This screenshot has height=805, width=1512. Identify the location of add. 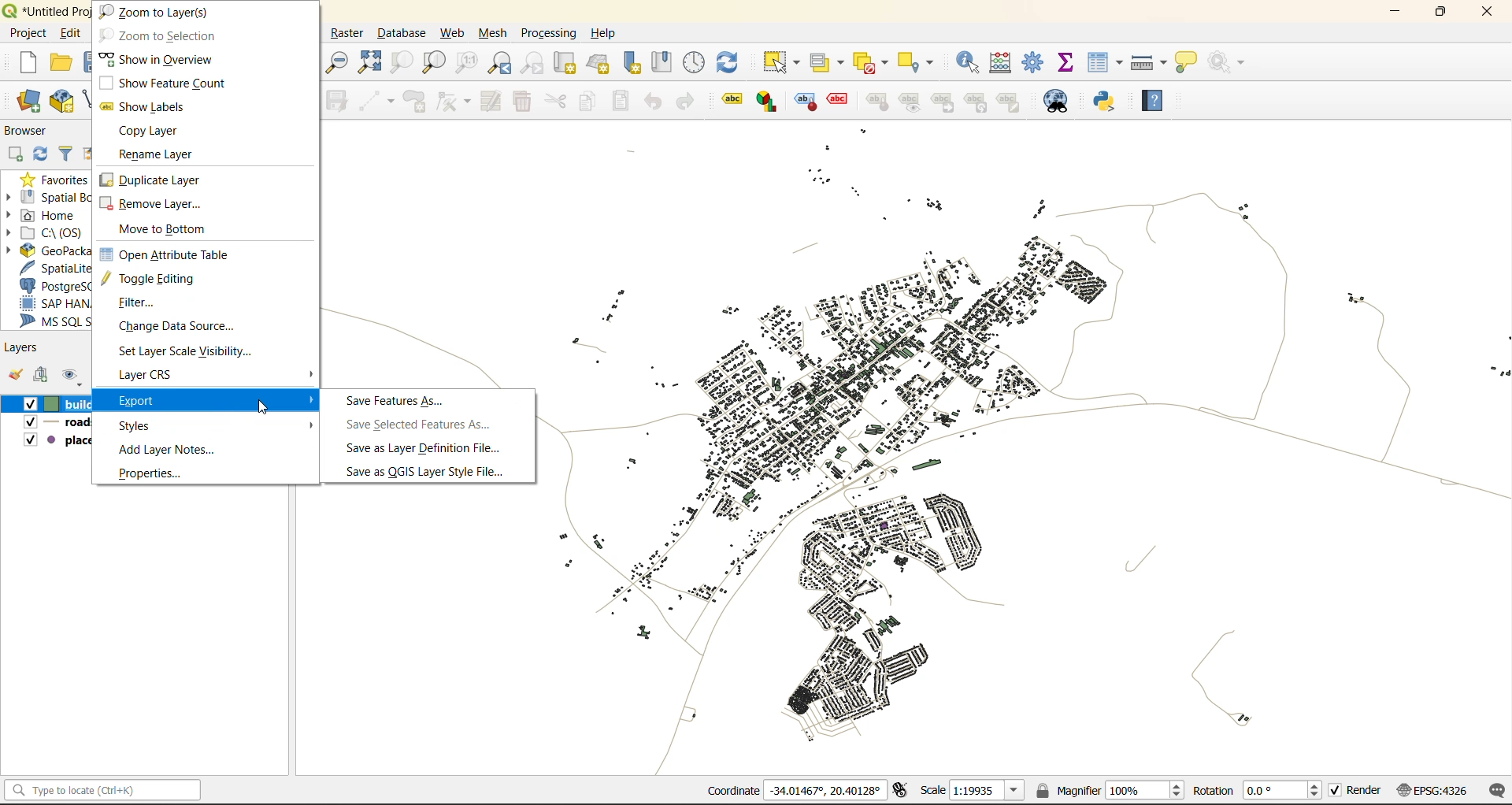
(42, 376).